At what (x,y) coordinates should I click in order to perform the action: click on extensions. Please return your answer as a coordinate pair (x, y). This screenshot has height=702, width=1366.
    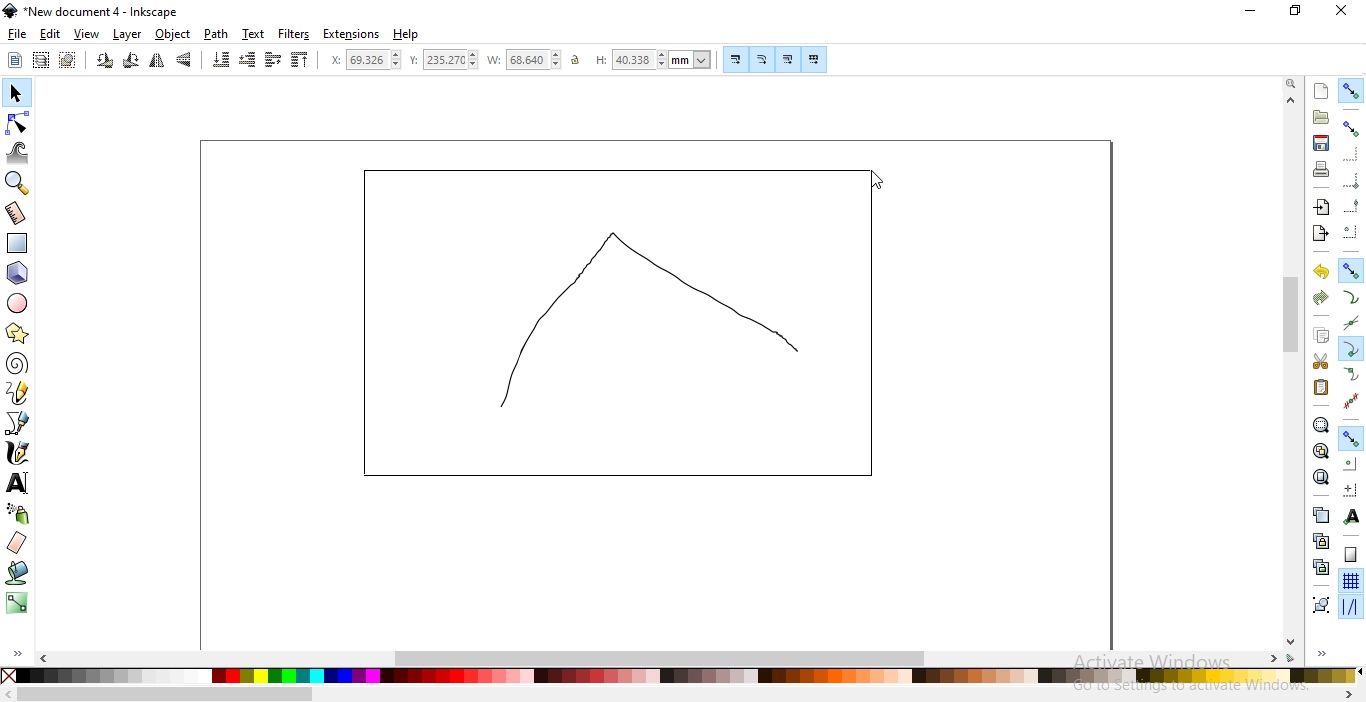
    Looking at the image, I should click on (351, 35).